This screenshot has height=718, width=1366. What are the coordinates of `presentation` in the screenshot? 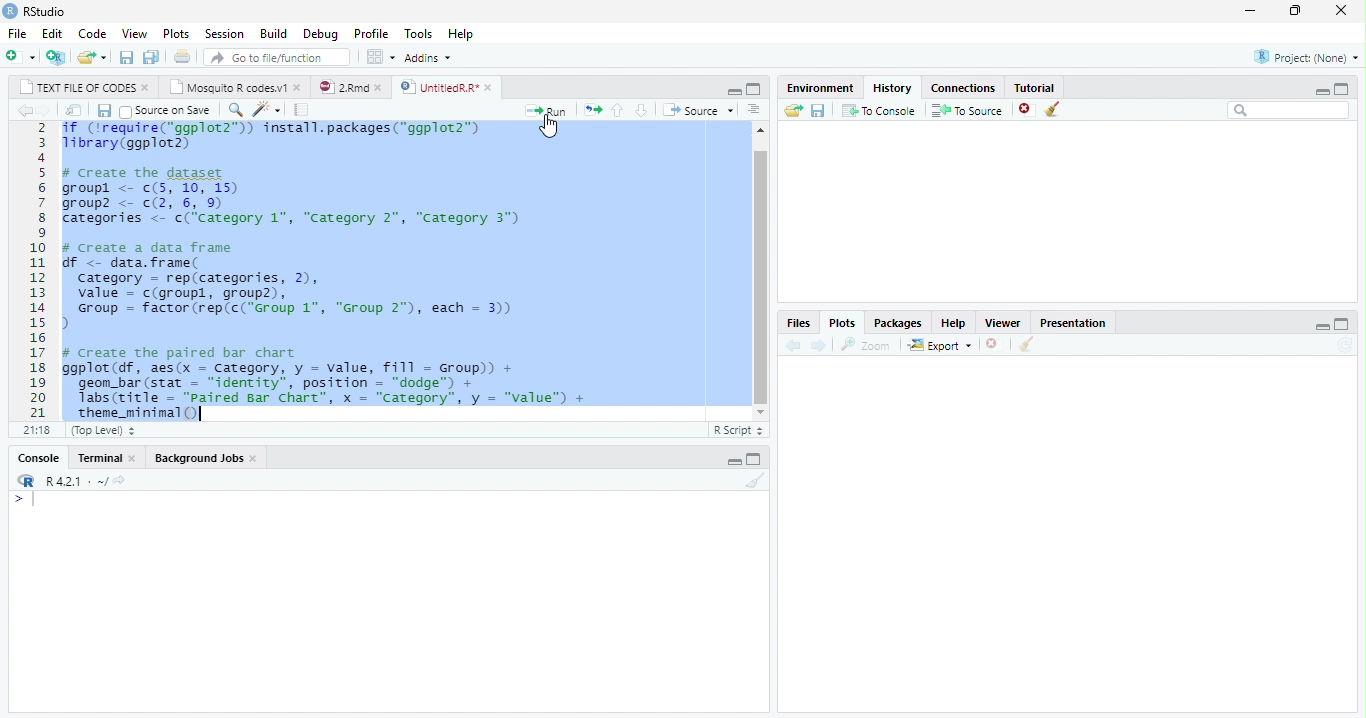 It's located at (1083, 321).